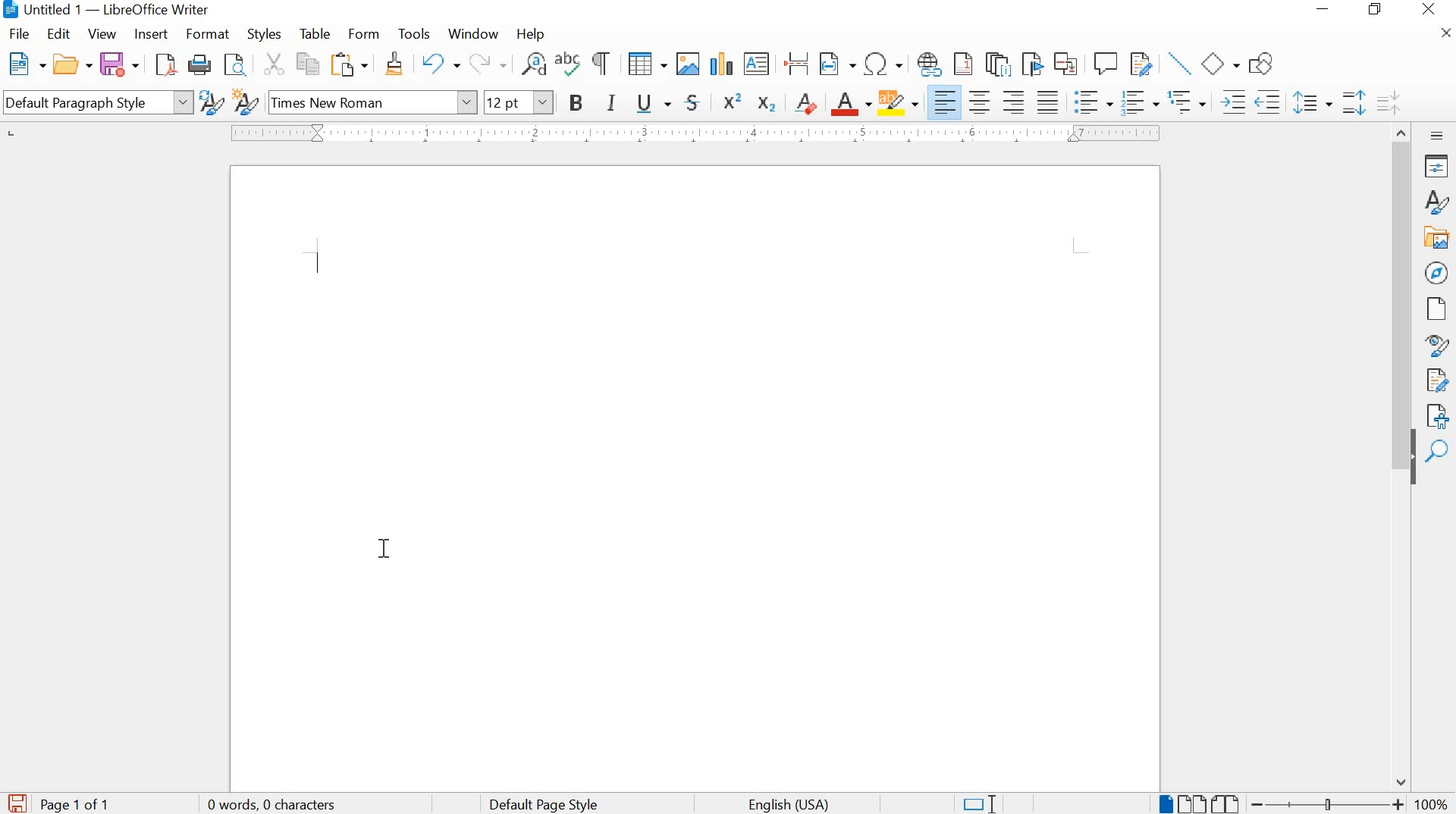 The width and height of the screenshot is (1456, 814). I want to click on TOGGLE PRINT PREVIEW, so click(237, 64).